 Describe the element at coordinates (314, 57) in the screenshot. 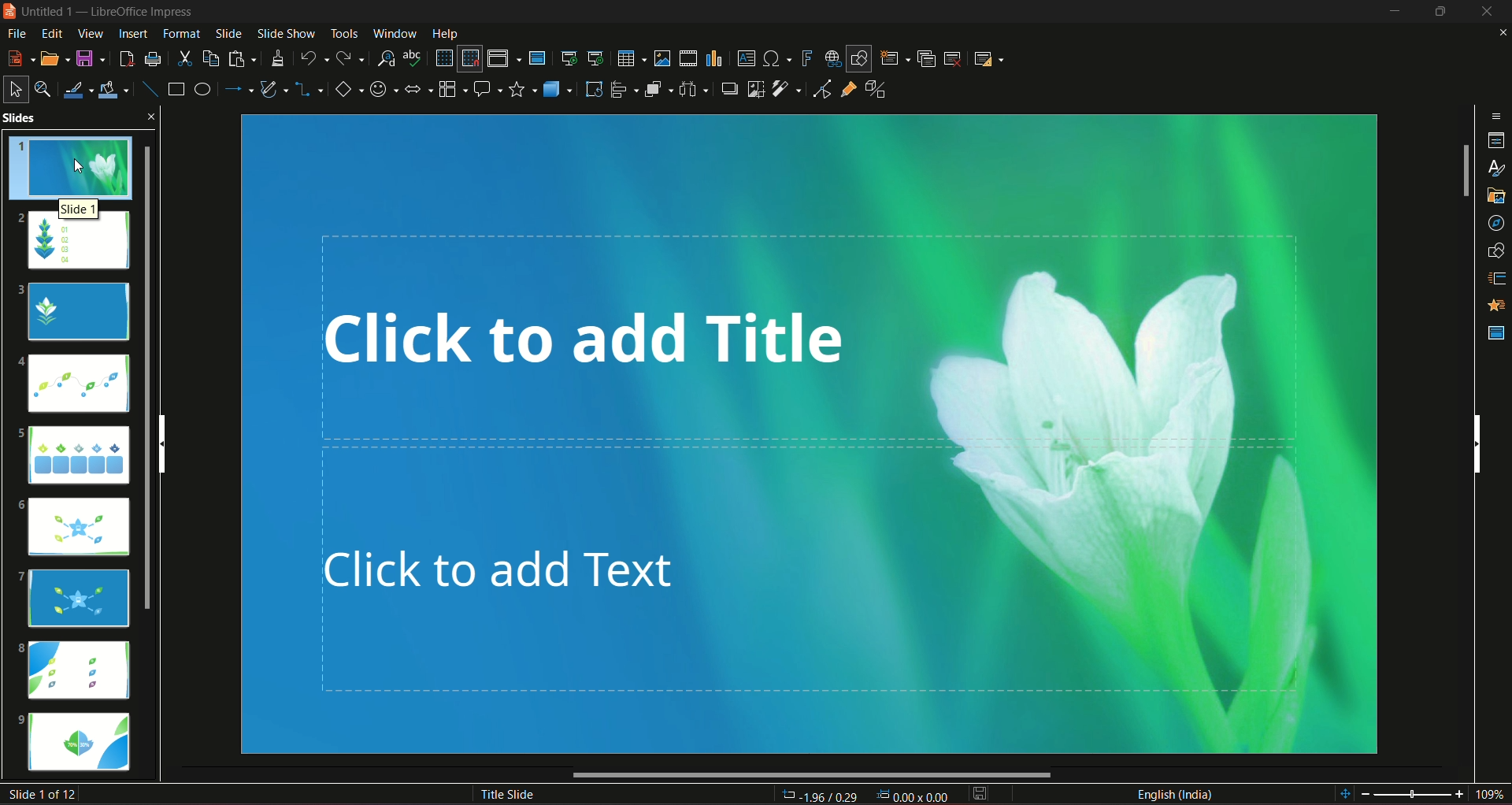

I see `undo` at that location.